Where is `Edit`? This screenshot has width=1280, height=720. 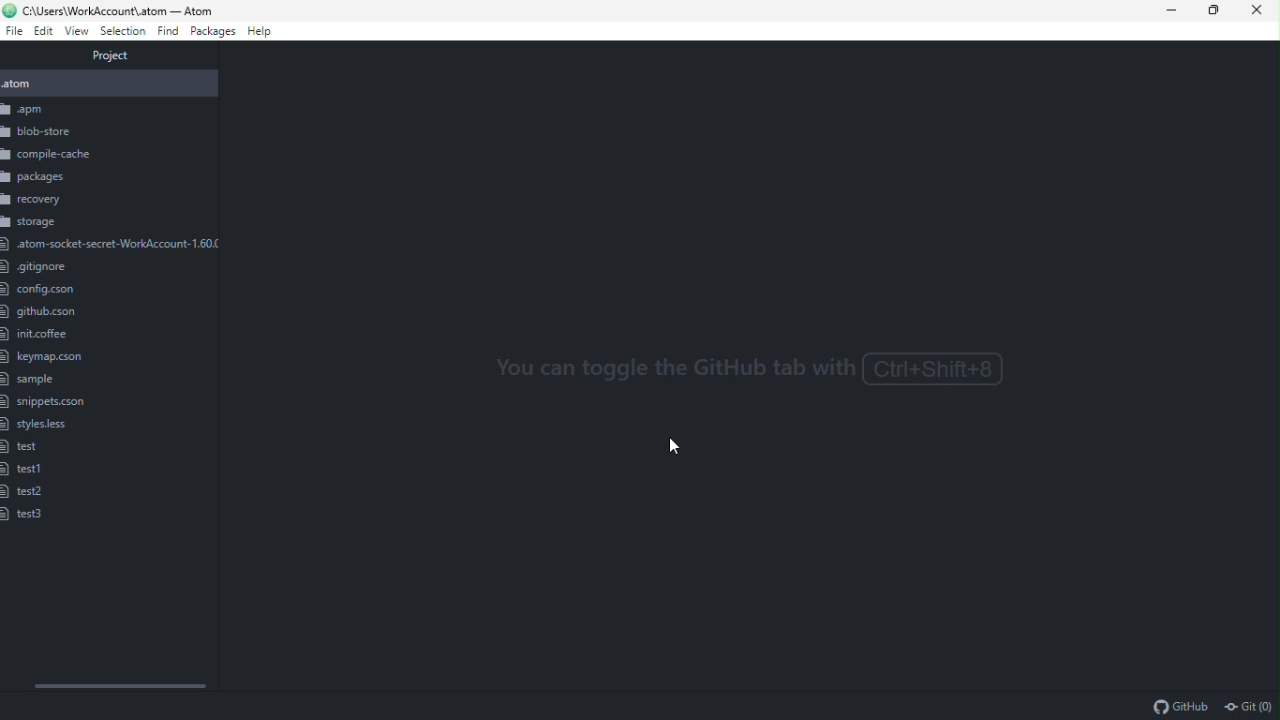 Edit is located at coordinates (42, 31).